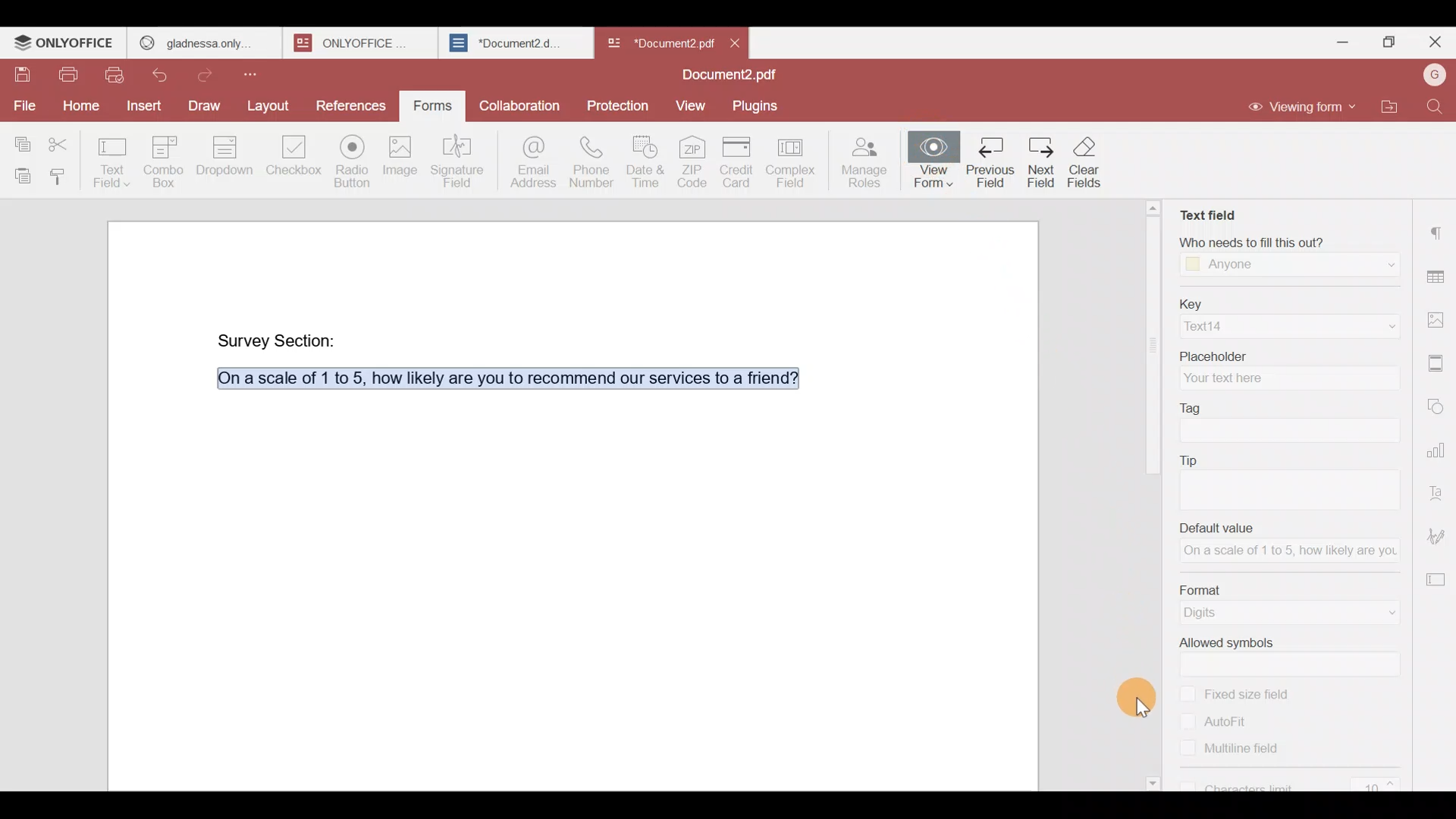  I want to click on Multiline field, so click(1250, 754).